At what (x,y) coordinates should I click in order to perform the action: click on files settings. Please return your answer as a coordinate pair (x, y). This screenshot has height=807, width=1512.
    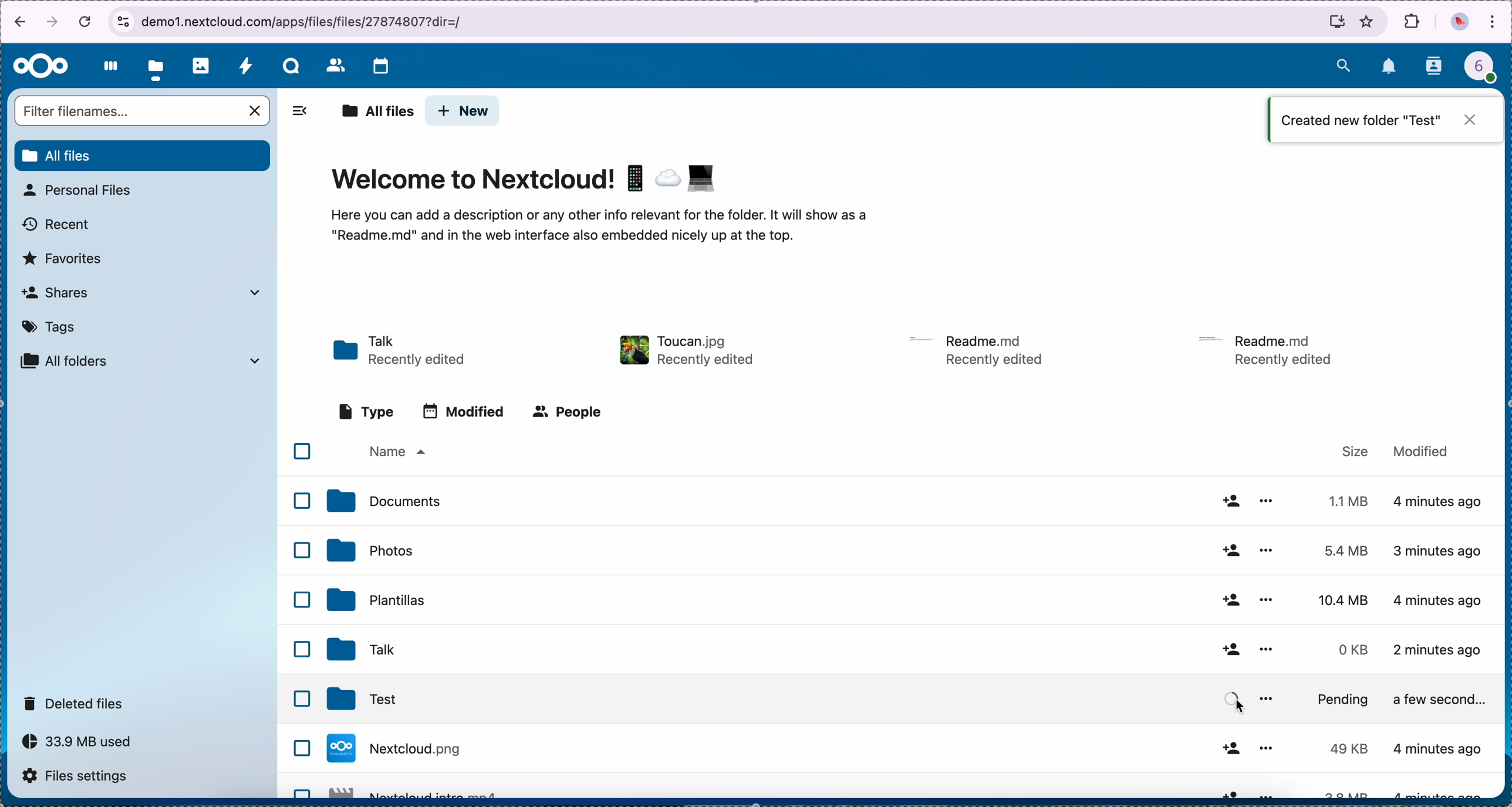
    Looking at the image, I should click on (81, 778).